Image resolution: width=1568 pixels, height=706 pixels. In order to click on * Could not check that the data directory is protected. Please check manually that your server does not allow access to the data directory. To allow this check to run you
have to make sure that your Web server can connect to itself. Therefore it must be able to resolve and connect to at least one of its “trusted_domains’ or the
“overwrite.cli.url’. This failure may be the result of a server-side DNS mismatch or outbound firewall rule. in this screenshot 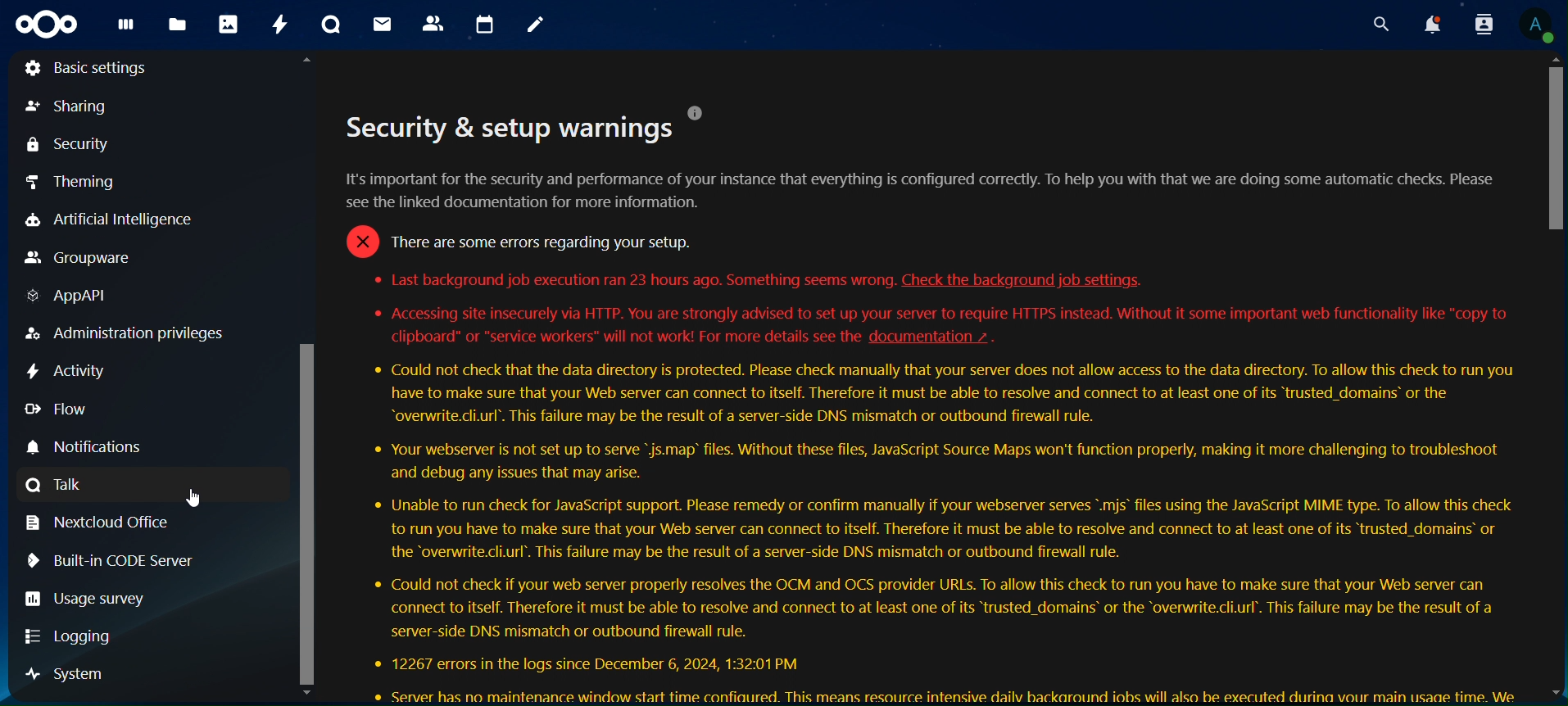, I will do `click(942, 395)`.